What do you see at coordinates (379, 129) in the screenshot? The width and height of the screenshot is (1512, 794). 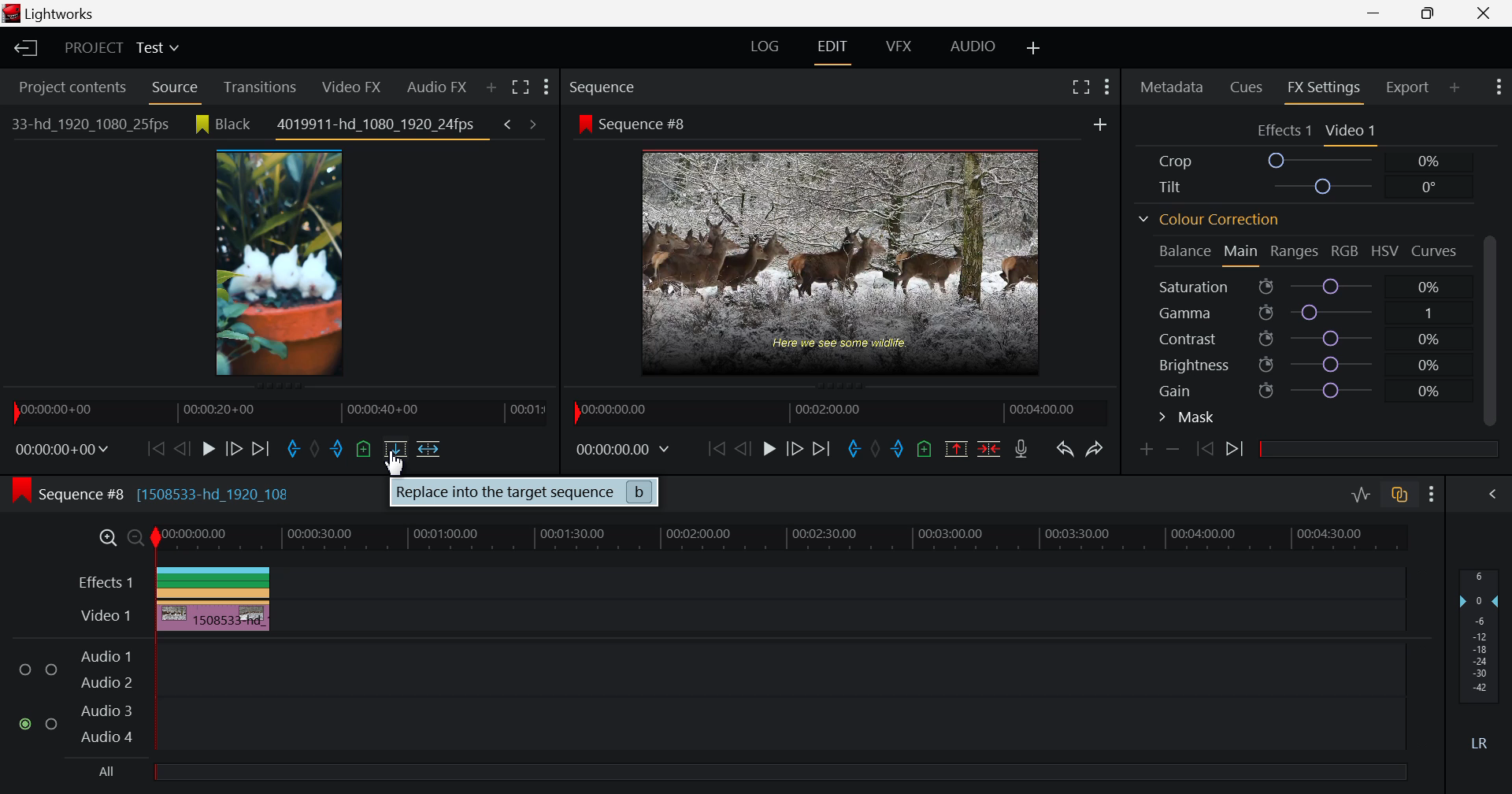 I see `4019911-hd_1080_1920_24fps` at bounding box center [379, 129].